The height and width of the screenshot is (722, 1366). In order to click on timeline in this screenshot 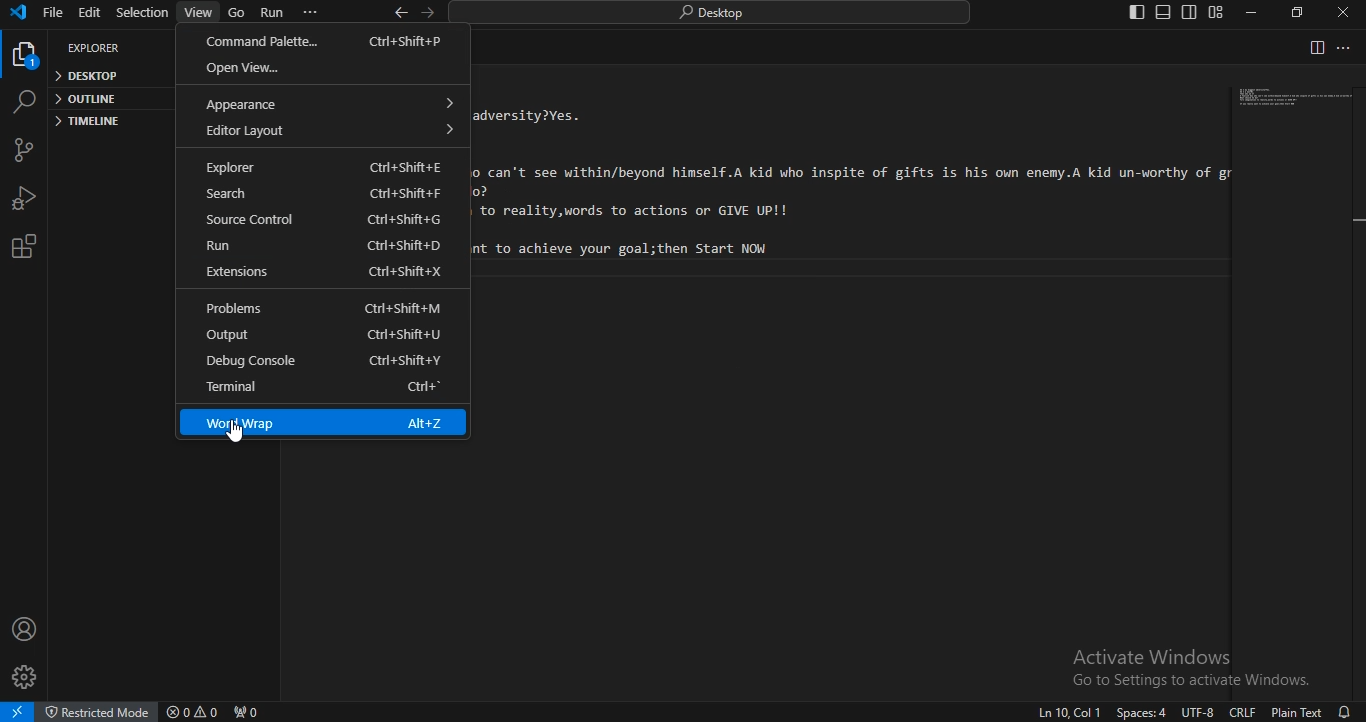, I will do `click(87, 123)`.